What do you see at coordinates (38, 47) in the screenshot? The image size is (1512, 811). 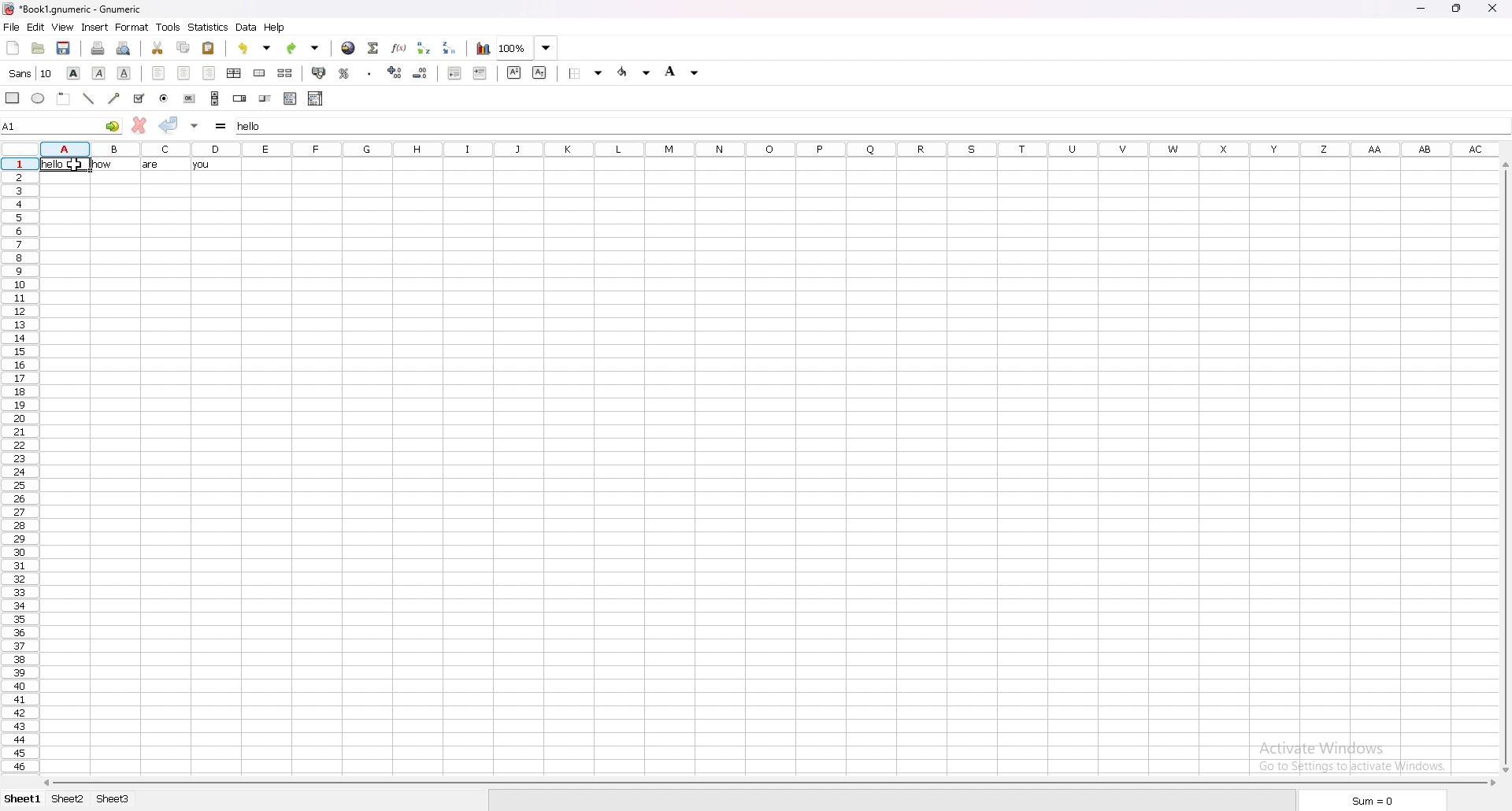 I see `open` at bounding box center [38, 47].